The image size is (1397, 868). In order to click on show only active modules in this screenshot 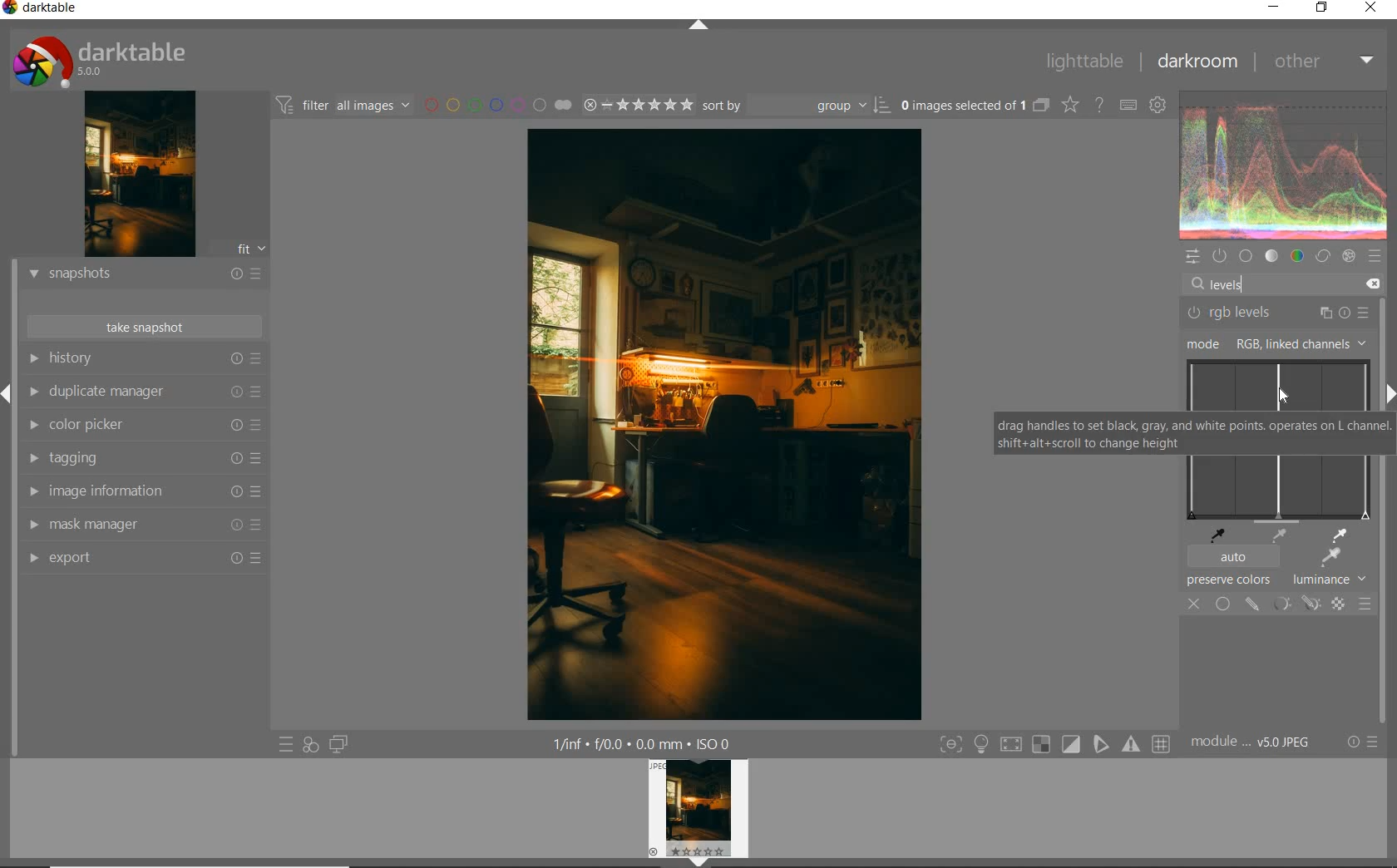, I will do `click(1219, 255)`.